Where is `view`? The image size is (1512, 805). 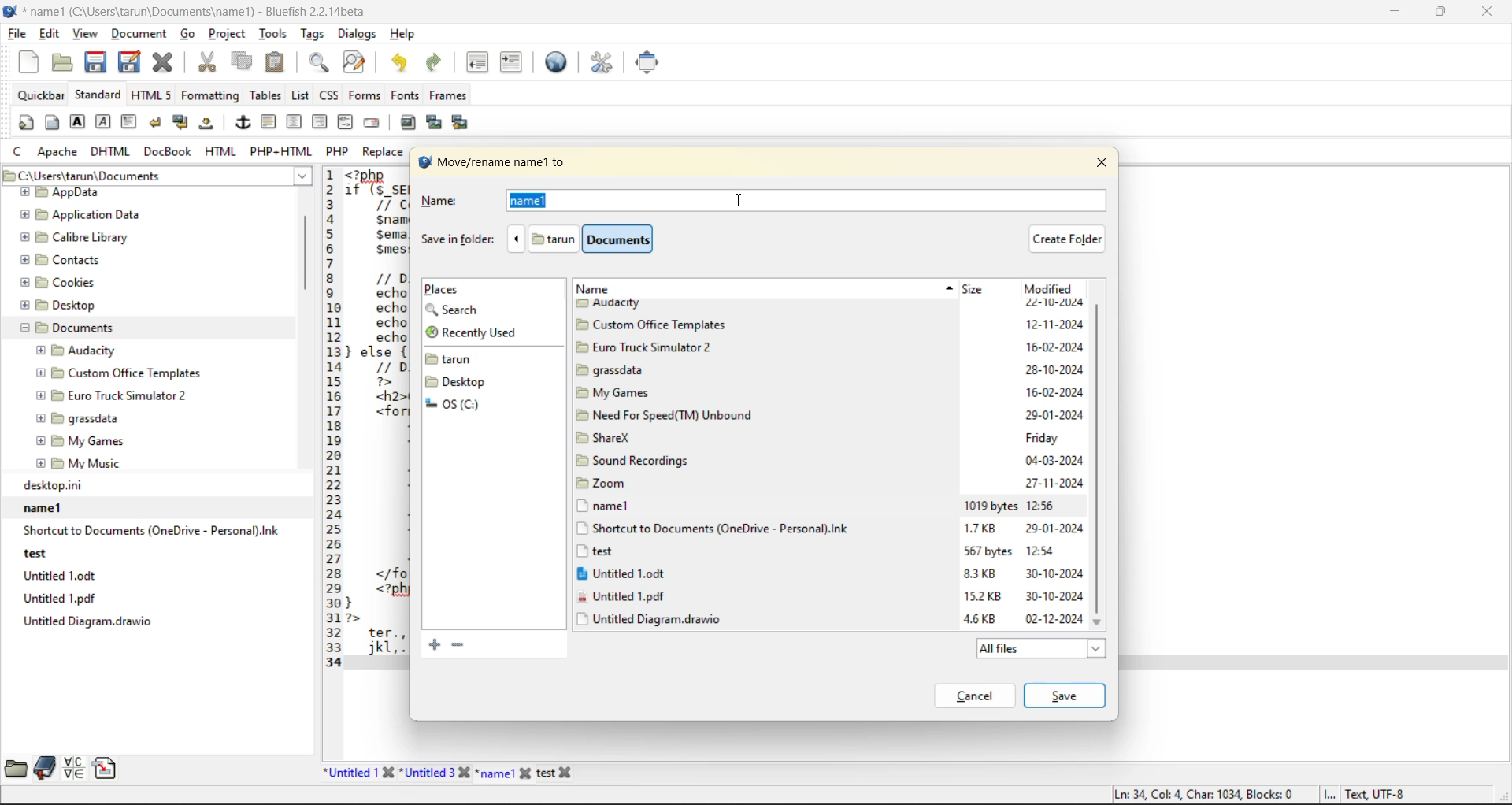
view is located at coordinates (87, 36).